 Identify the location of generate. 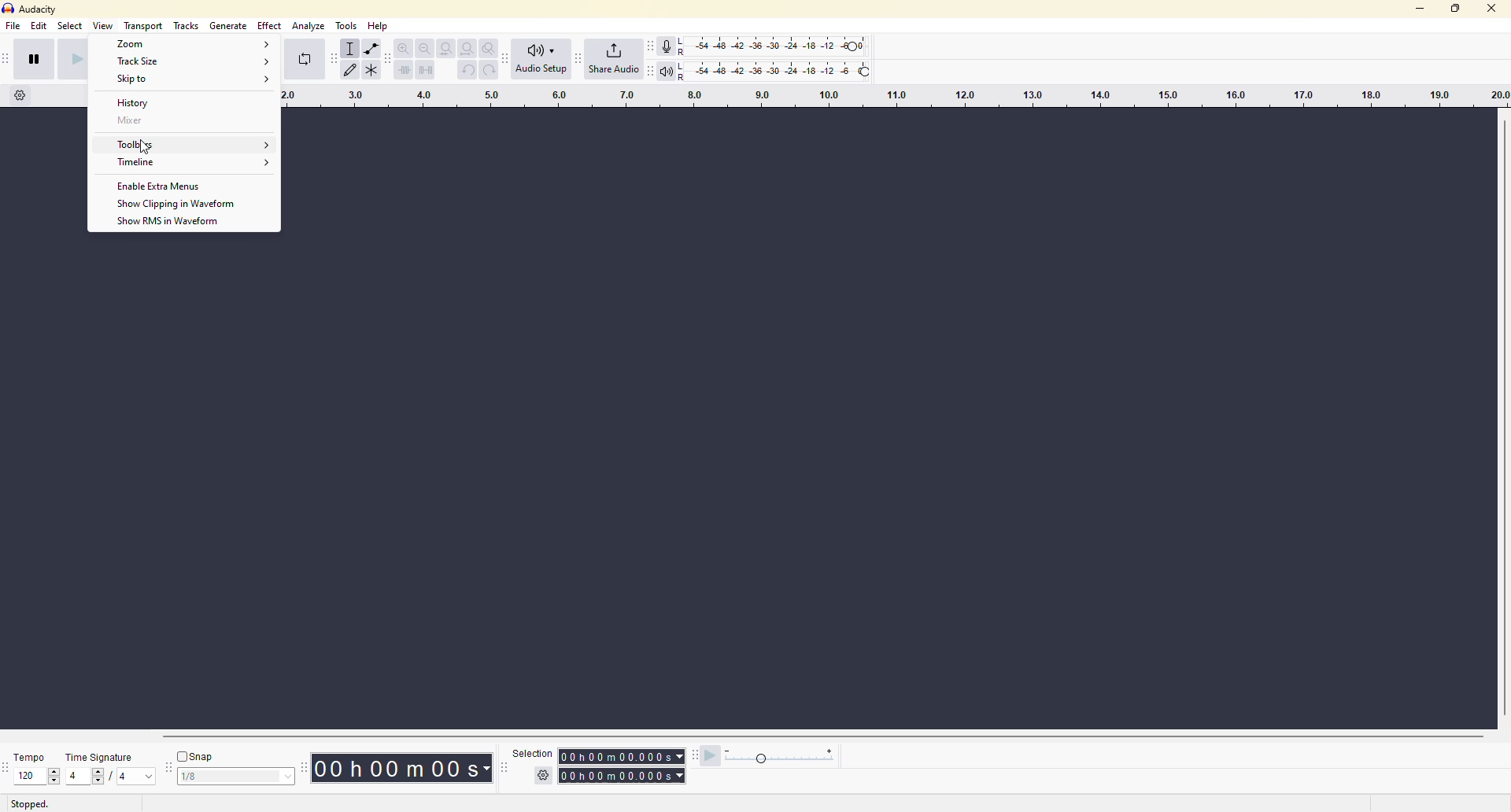
(228, 27).